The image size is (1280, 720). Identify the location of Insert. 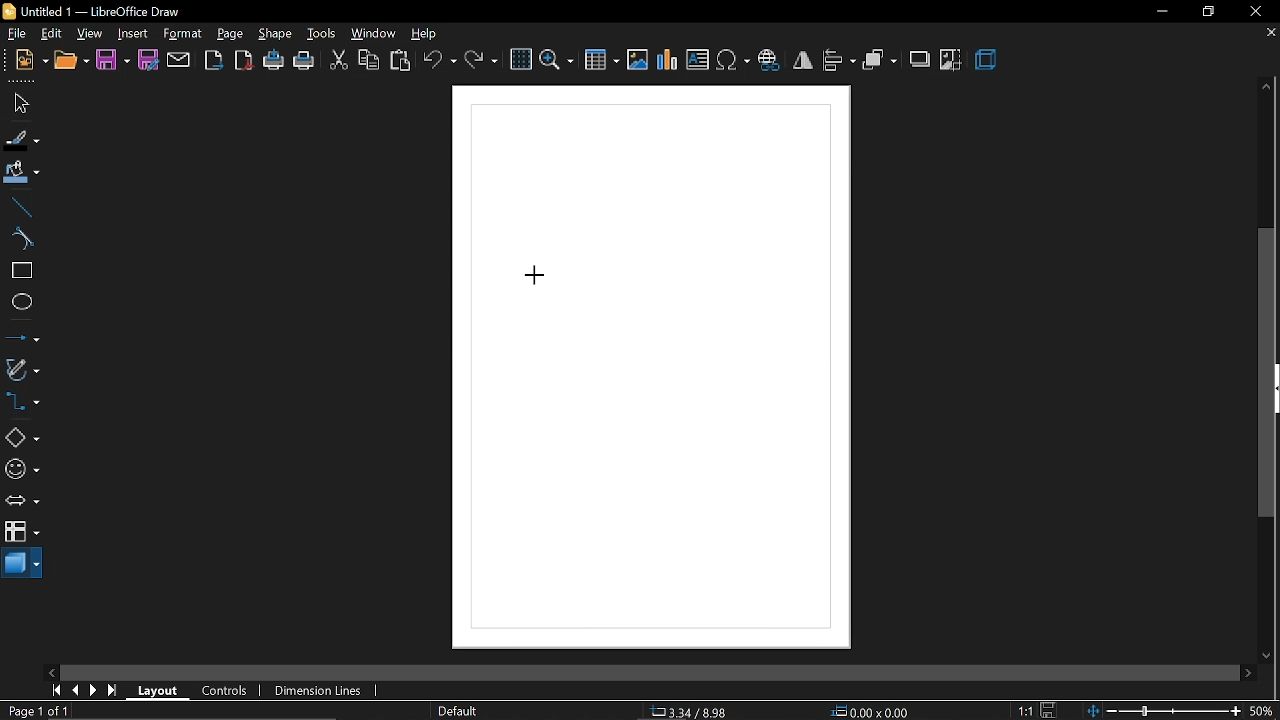
(133, 34).